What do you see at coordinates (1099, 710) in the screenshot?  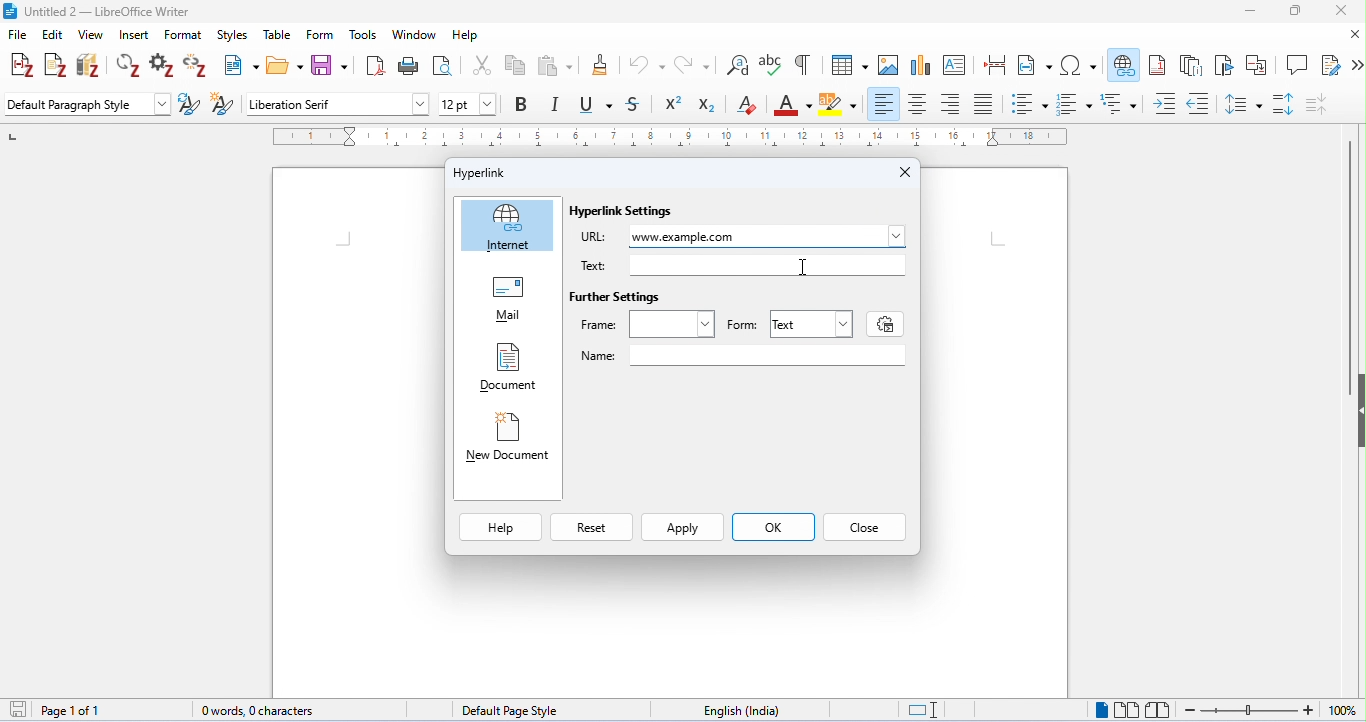 I see `single page view` at bounding box center [1099, 710].